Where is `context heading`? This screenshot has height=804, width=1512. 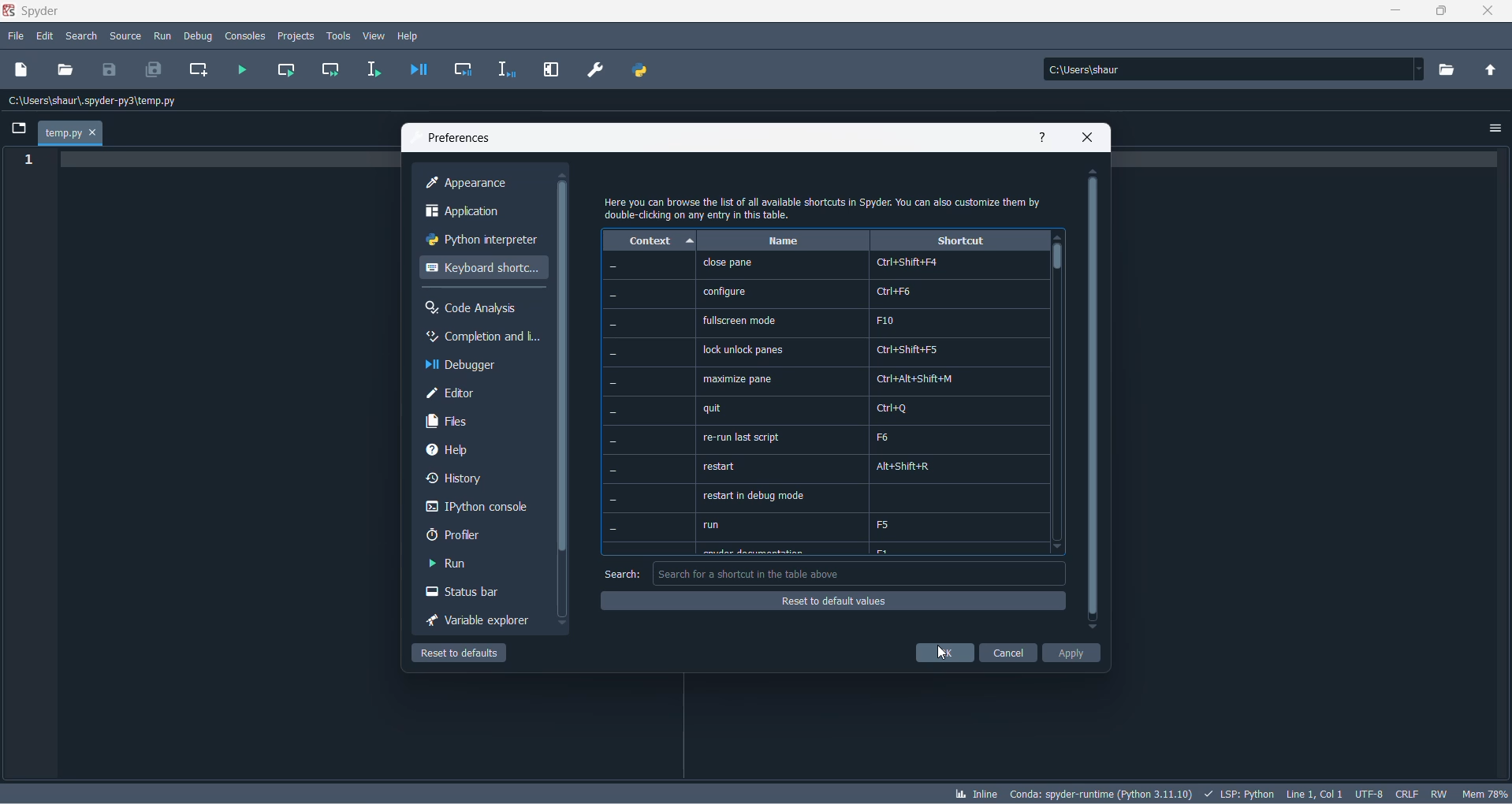 context heading is located at coordinates (650, 241).